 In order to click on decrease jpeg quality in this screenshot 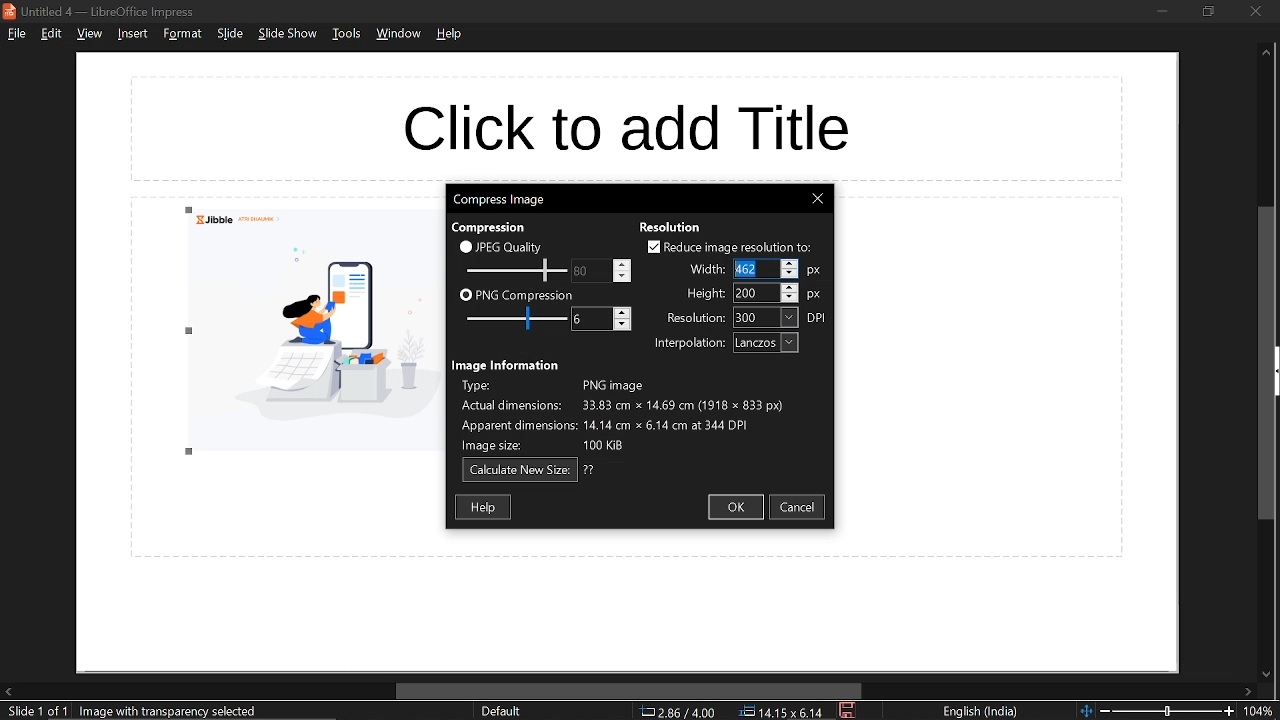, I will do `click(621, 276)`.